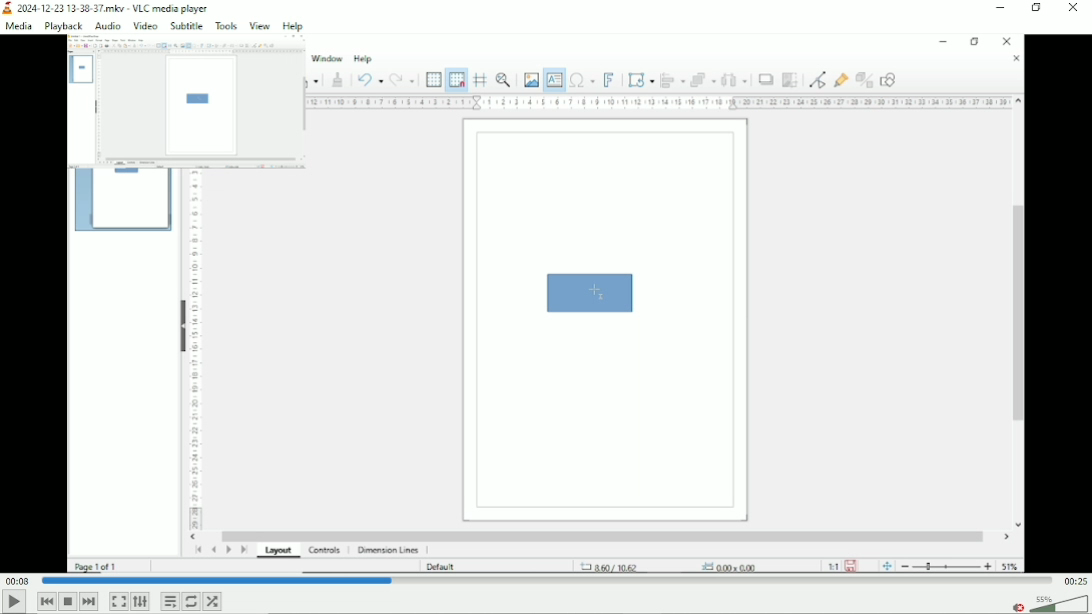 Image resolution: width=1092 pixels, height=614 pixels. What do you see at coordinates (69, 602) in the screenshot?
I see `Stop playback` at bounding box center [69, 602].